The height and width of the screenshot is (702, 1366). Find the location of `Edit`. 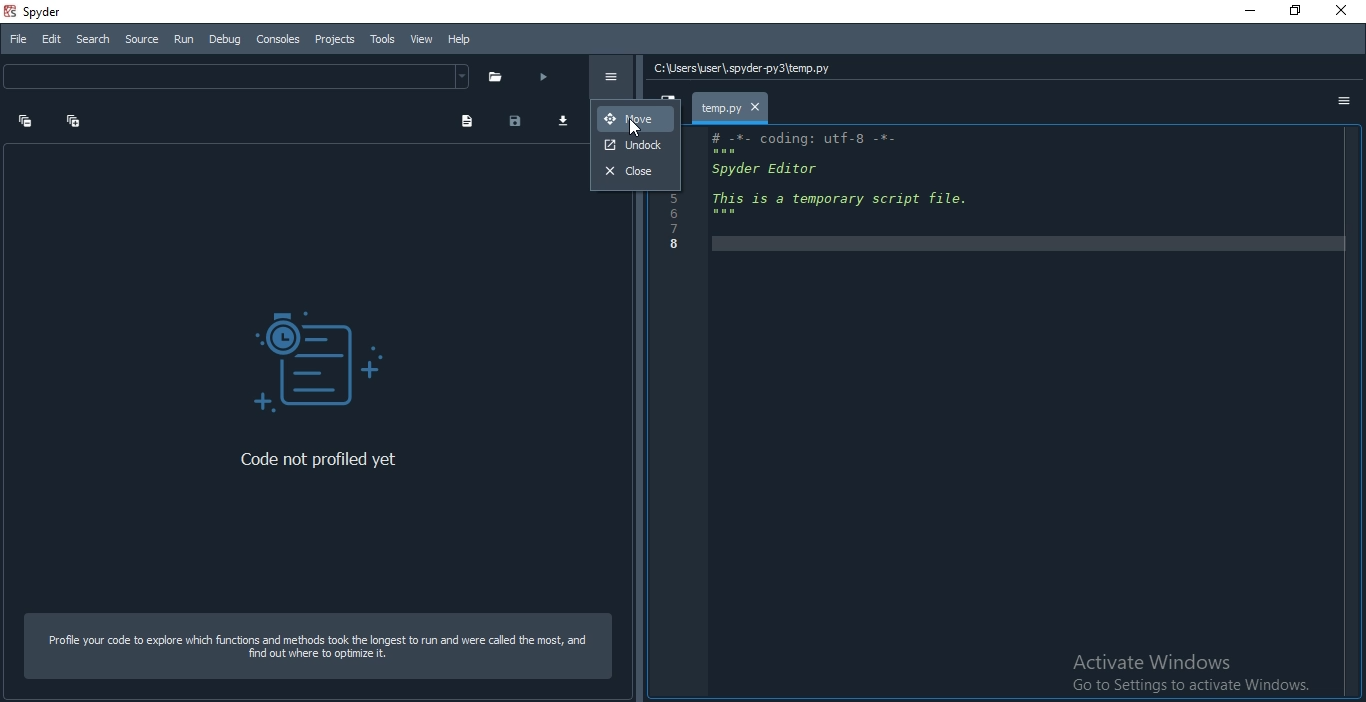

Edit is located at coordinates (50, 38).